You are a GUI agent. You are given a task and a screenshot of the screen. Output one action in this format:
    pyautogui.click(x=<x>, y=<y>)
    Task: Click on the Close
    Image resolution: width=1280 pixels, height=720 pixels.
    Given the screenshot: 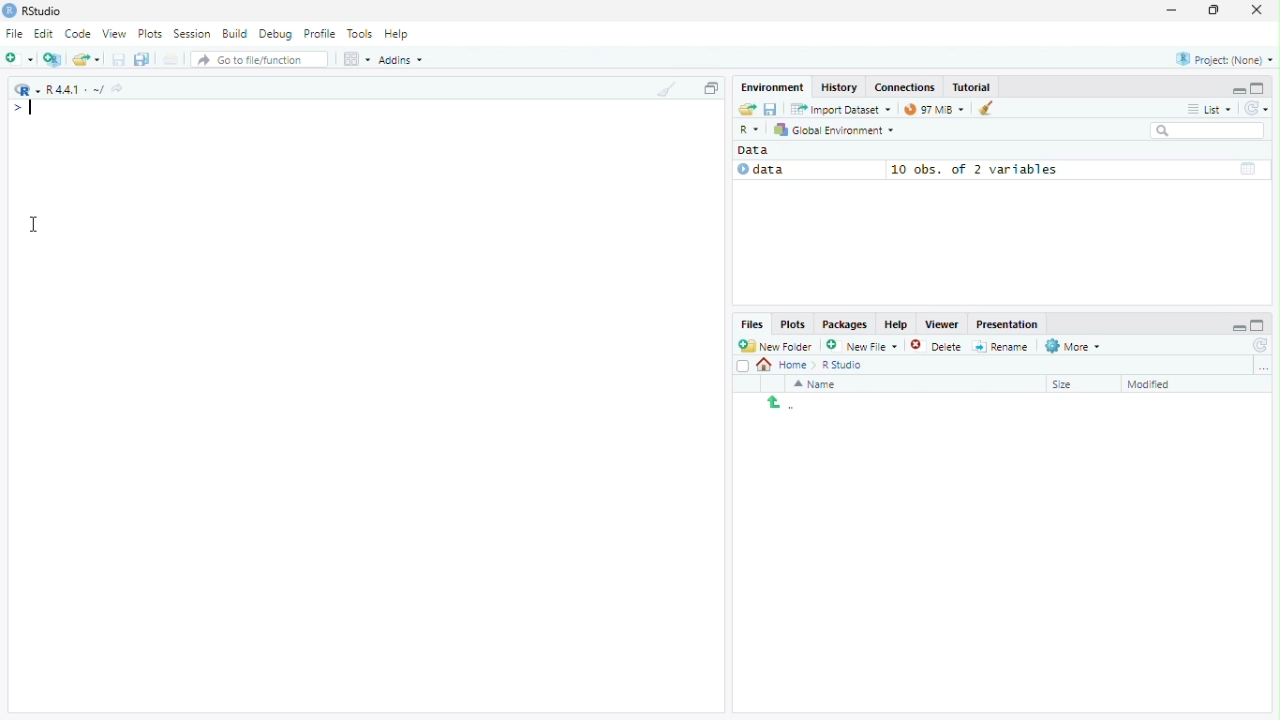 What is the action you would take?
    pyautogui.click(x=1259, y=9)
    